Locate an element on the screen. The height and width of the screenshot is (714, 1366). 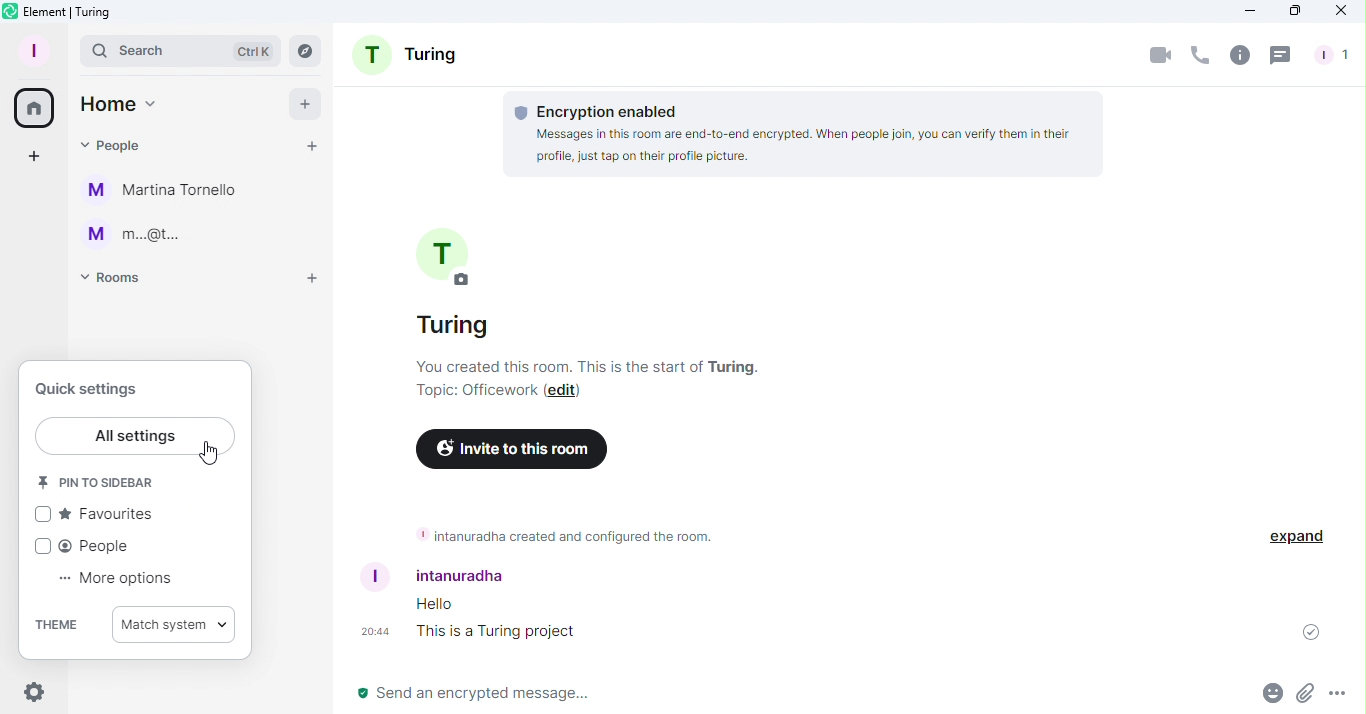
Room Information is located at coordinates (613, 304).